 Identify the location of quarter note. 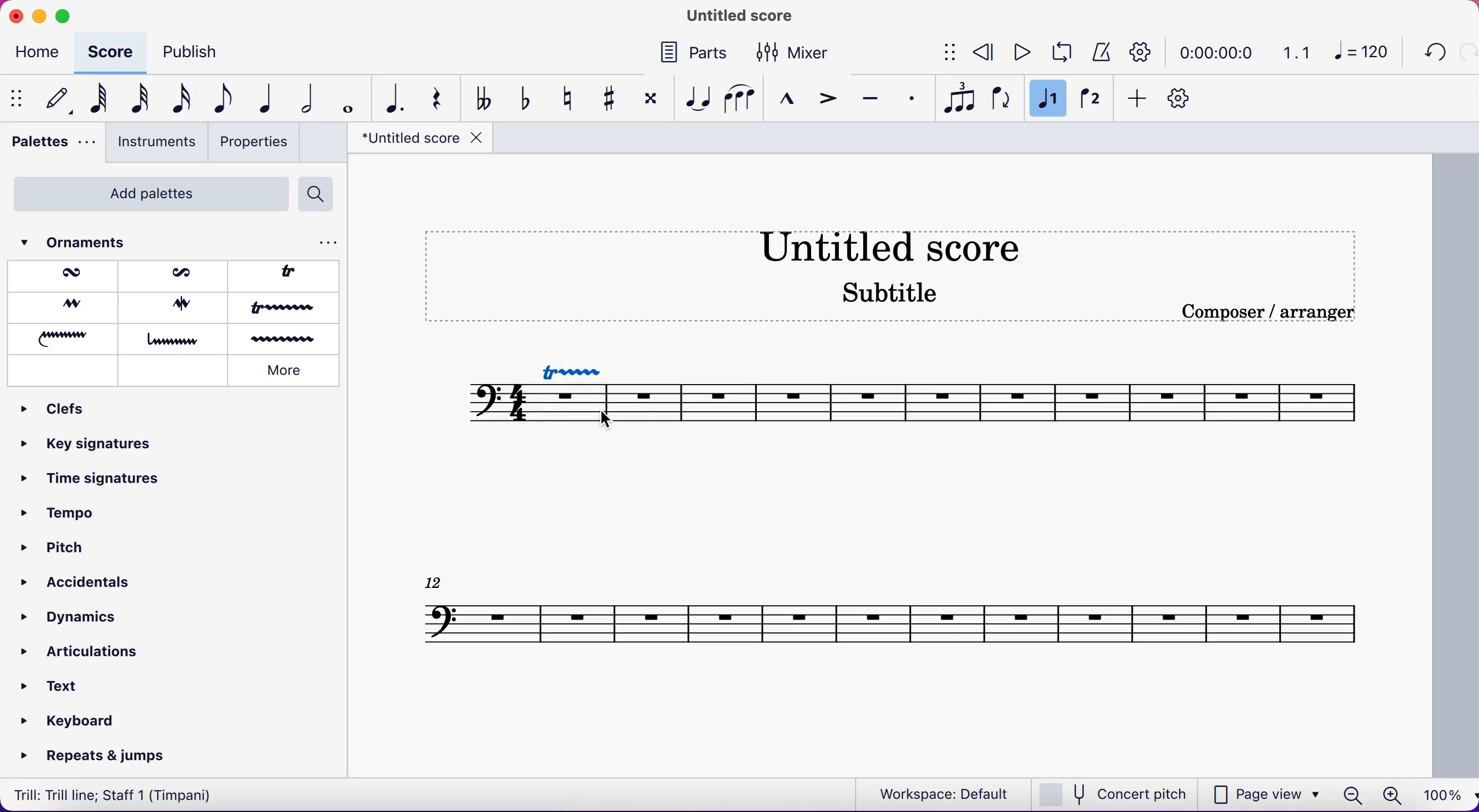
(263, 100).